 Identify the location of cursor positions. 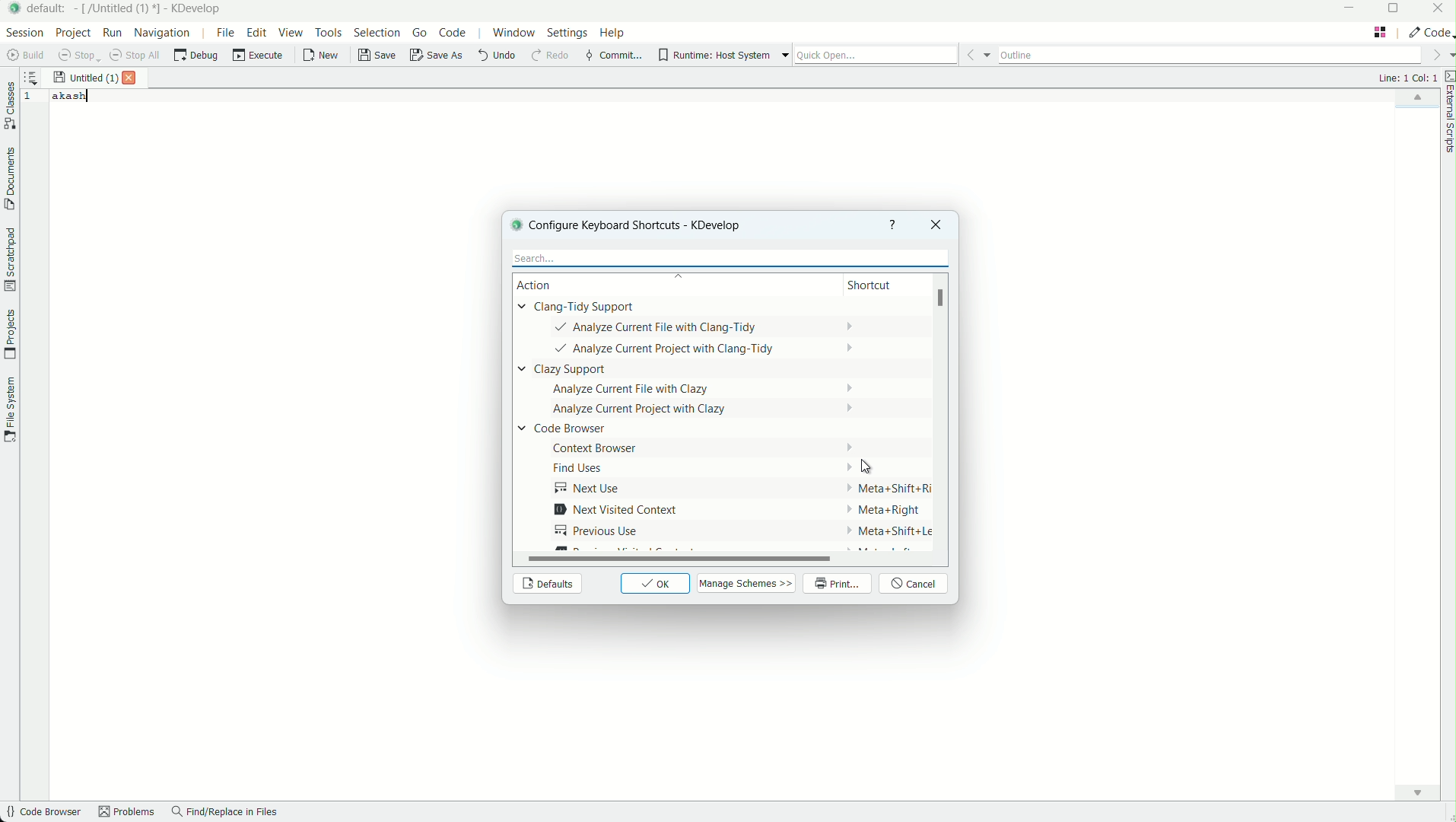
(1407, 78).